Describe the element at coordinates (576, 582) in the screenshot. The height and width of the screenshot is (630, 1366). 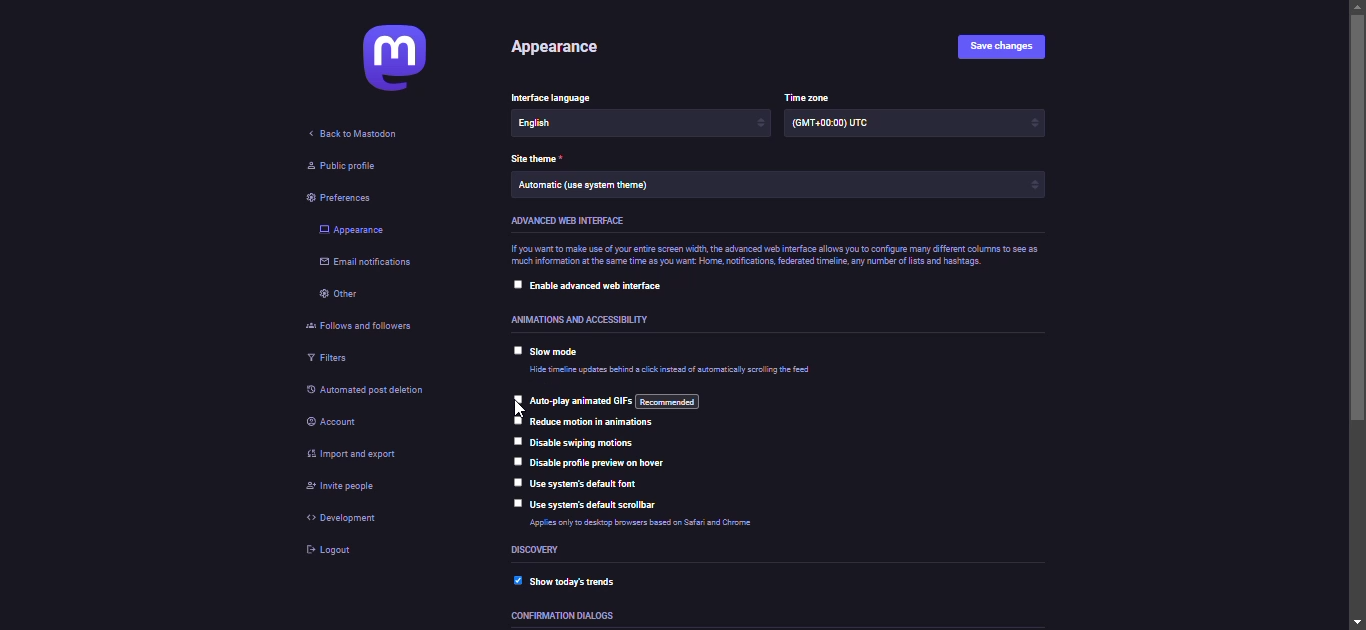
I see `show today's trends` at that location.